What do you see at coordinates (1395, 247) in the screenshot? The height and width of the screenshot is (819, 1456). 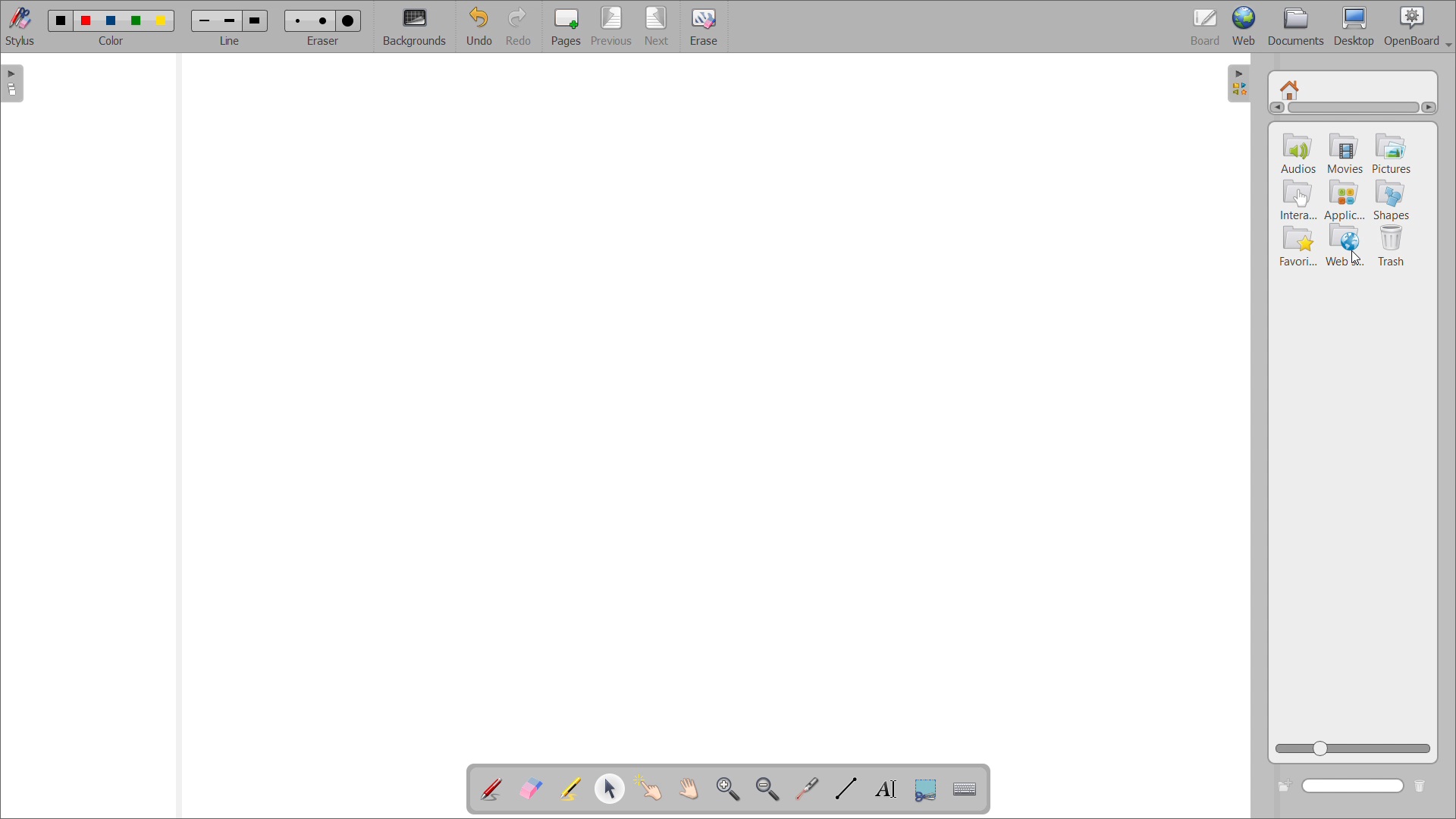 I see `trash` at bounding box center [1395, 247].